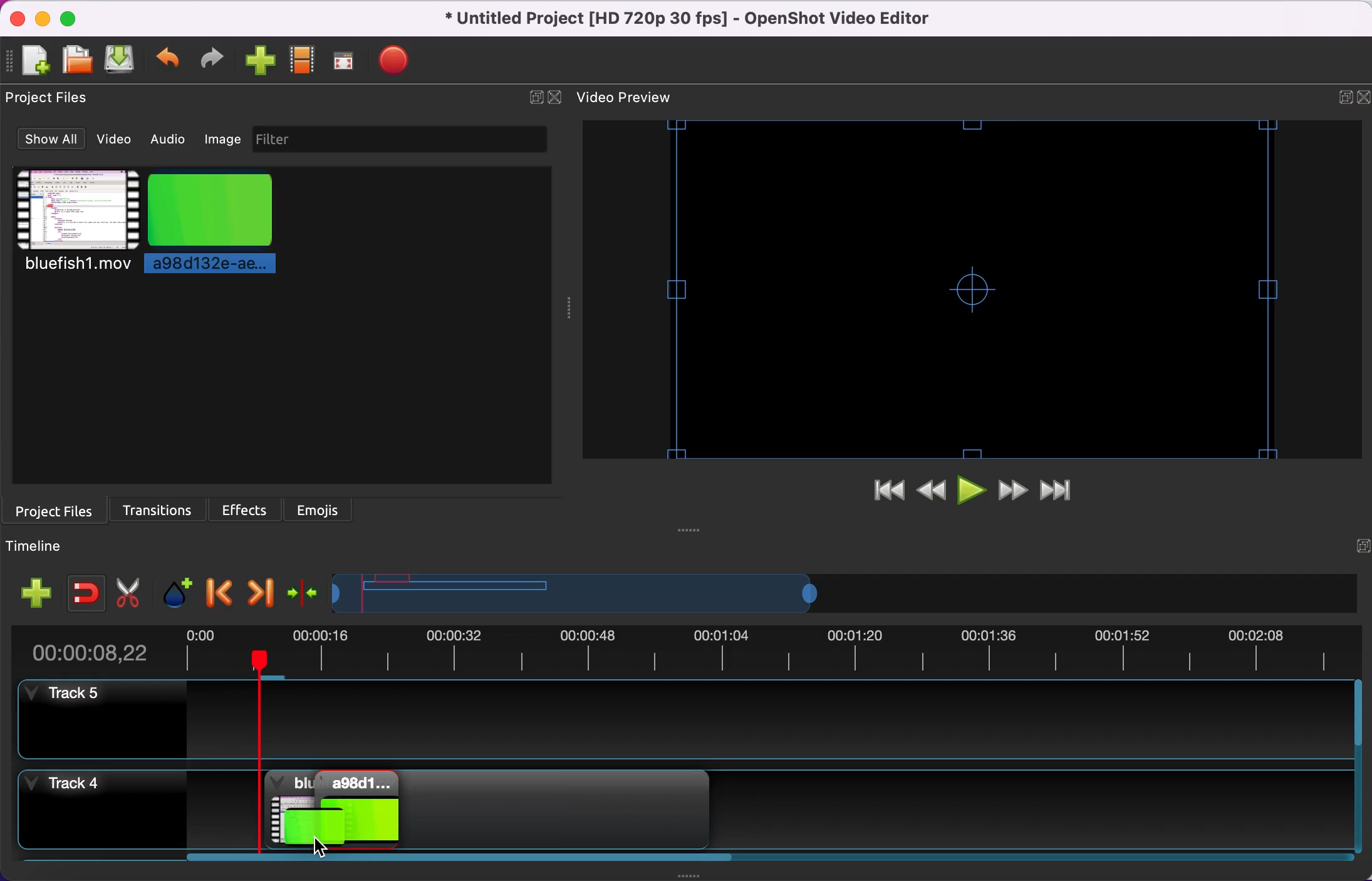  Describe the element at coordinates (56, 100) in the screenshot. I see `project files` at that location.